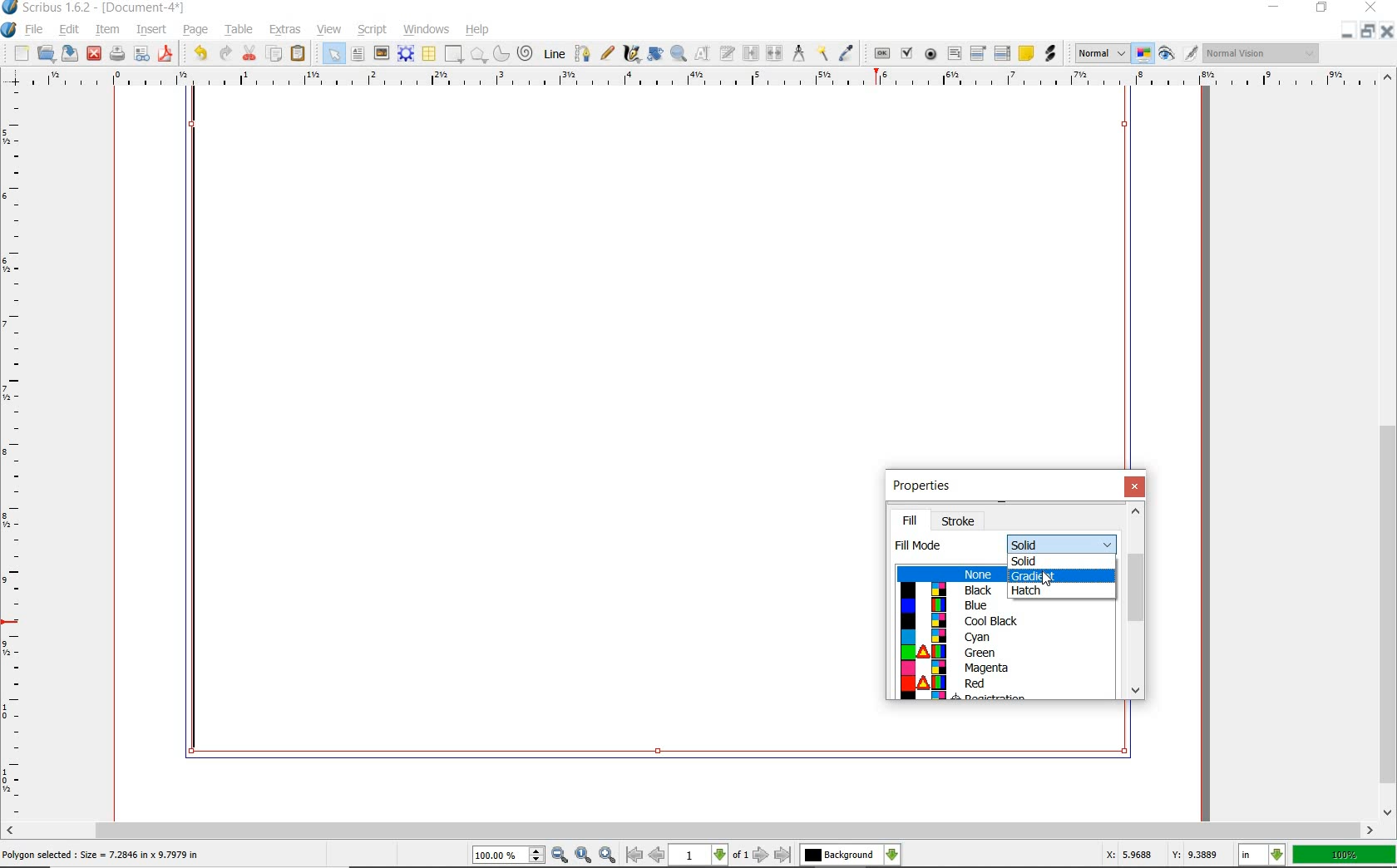 The image size is (1397, 868). I want to click on hatch, so click(1064, 591).